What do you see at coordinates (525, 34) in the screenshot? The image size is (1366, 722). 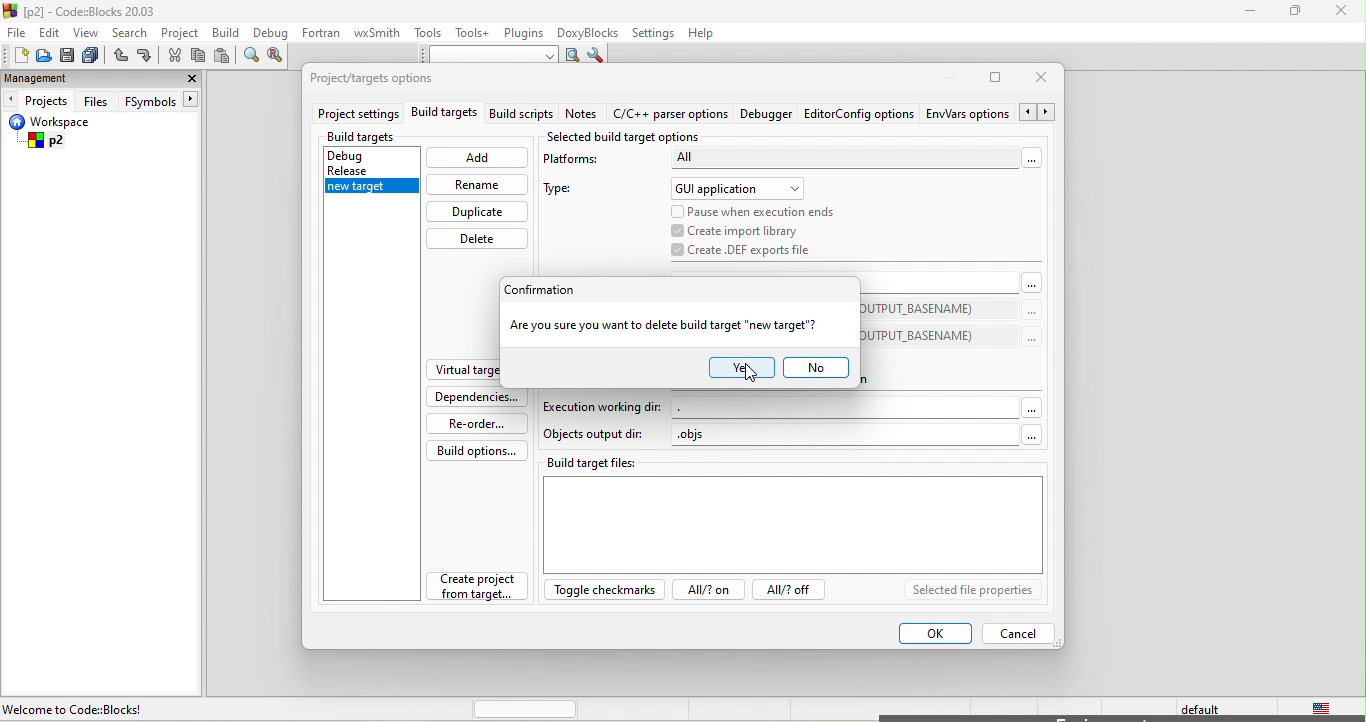 I see `plugins` at bounding box center [525, 34].